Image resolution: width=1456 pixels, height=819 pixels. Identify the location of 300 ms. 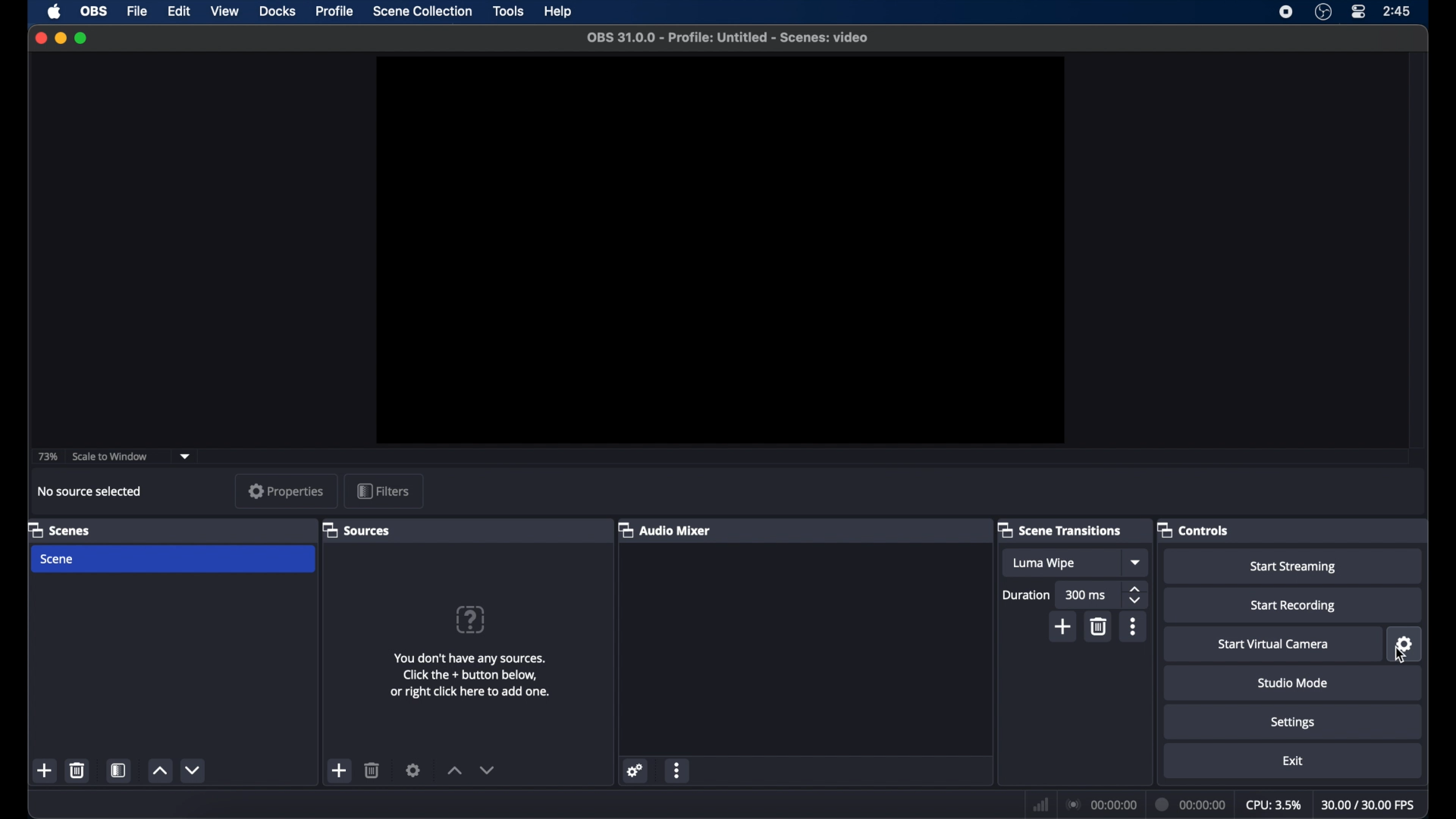
(1088, 595).